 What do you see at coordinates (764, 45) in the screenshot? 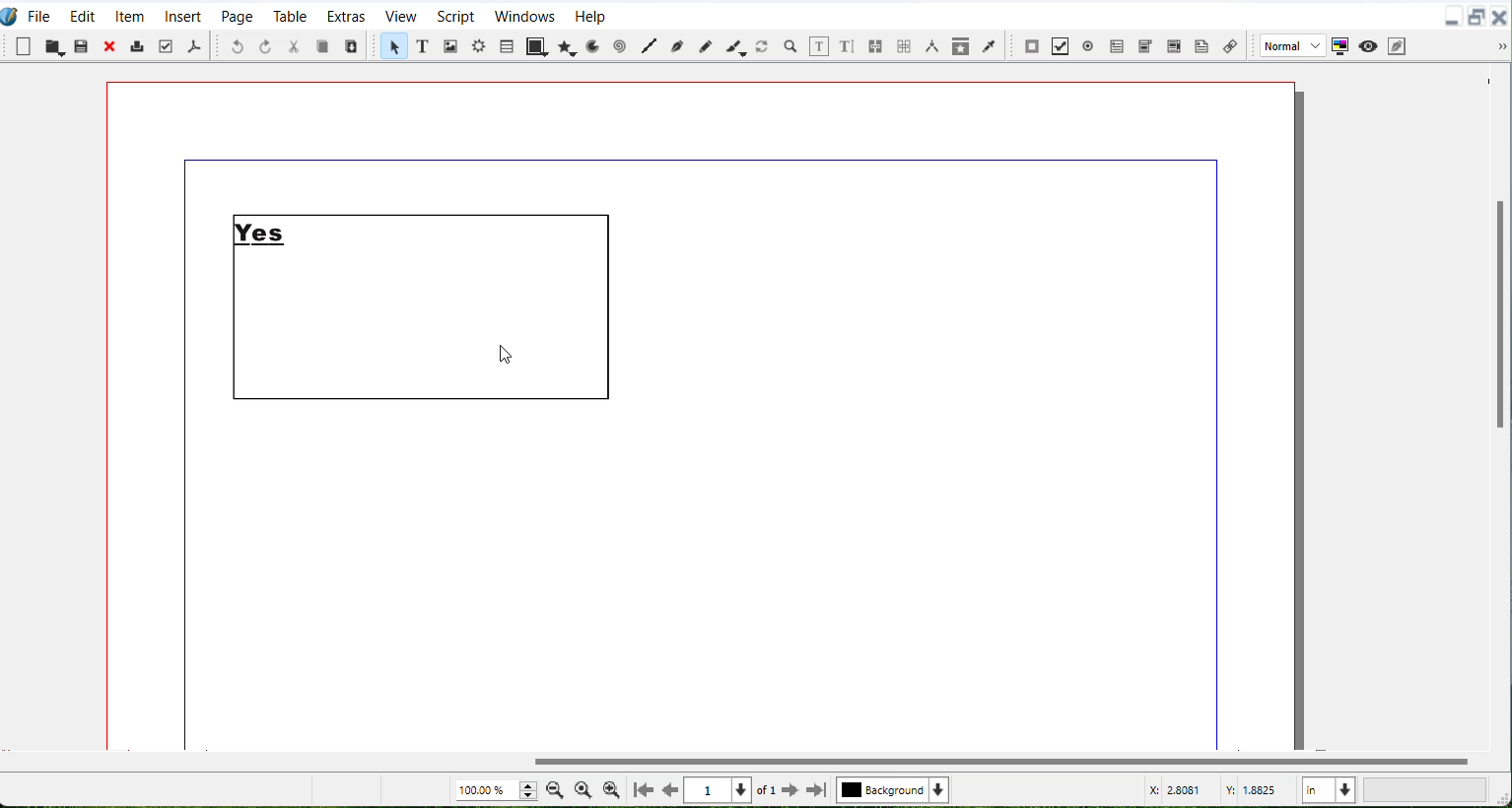
I see `Rotate Item` at bounding box center [764, 45].